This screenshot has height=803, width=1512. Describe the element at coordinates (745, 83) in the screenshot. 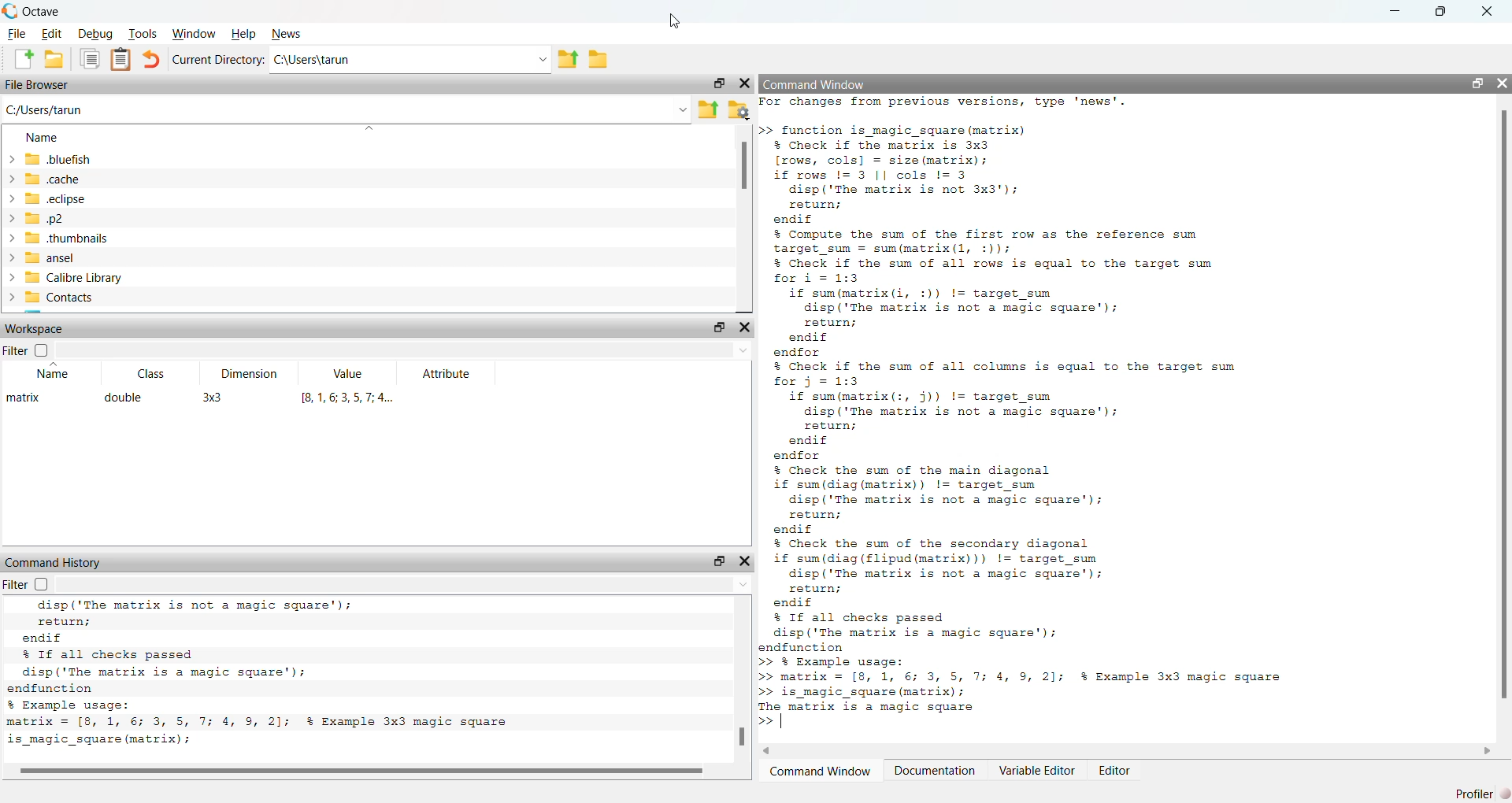

I see `close` at that location.